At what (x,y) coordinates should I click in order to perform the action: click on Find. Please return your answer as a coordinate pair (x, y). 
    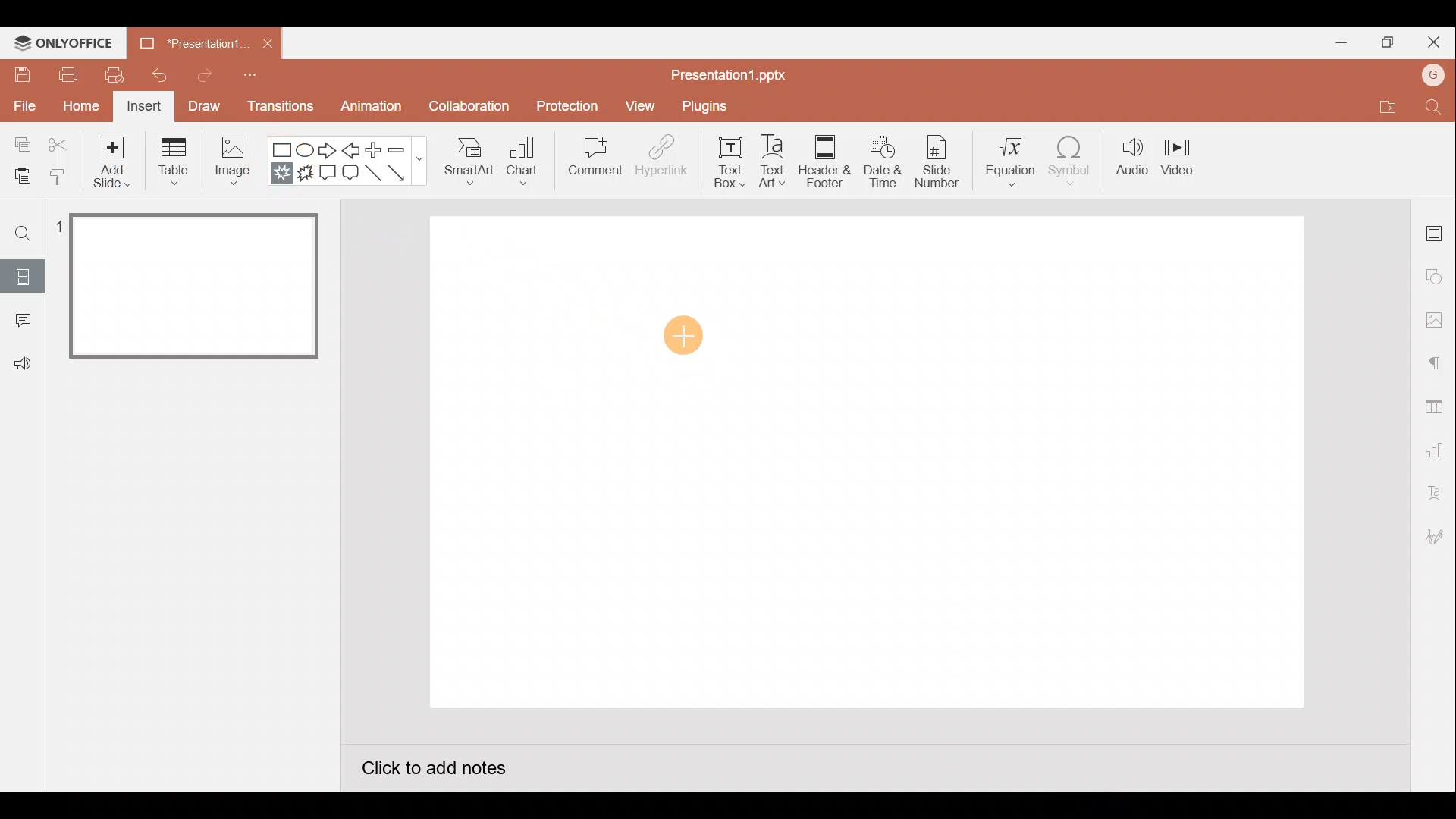
    Looking at the image, I should click on (21, 234).